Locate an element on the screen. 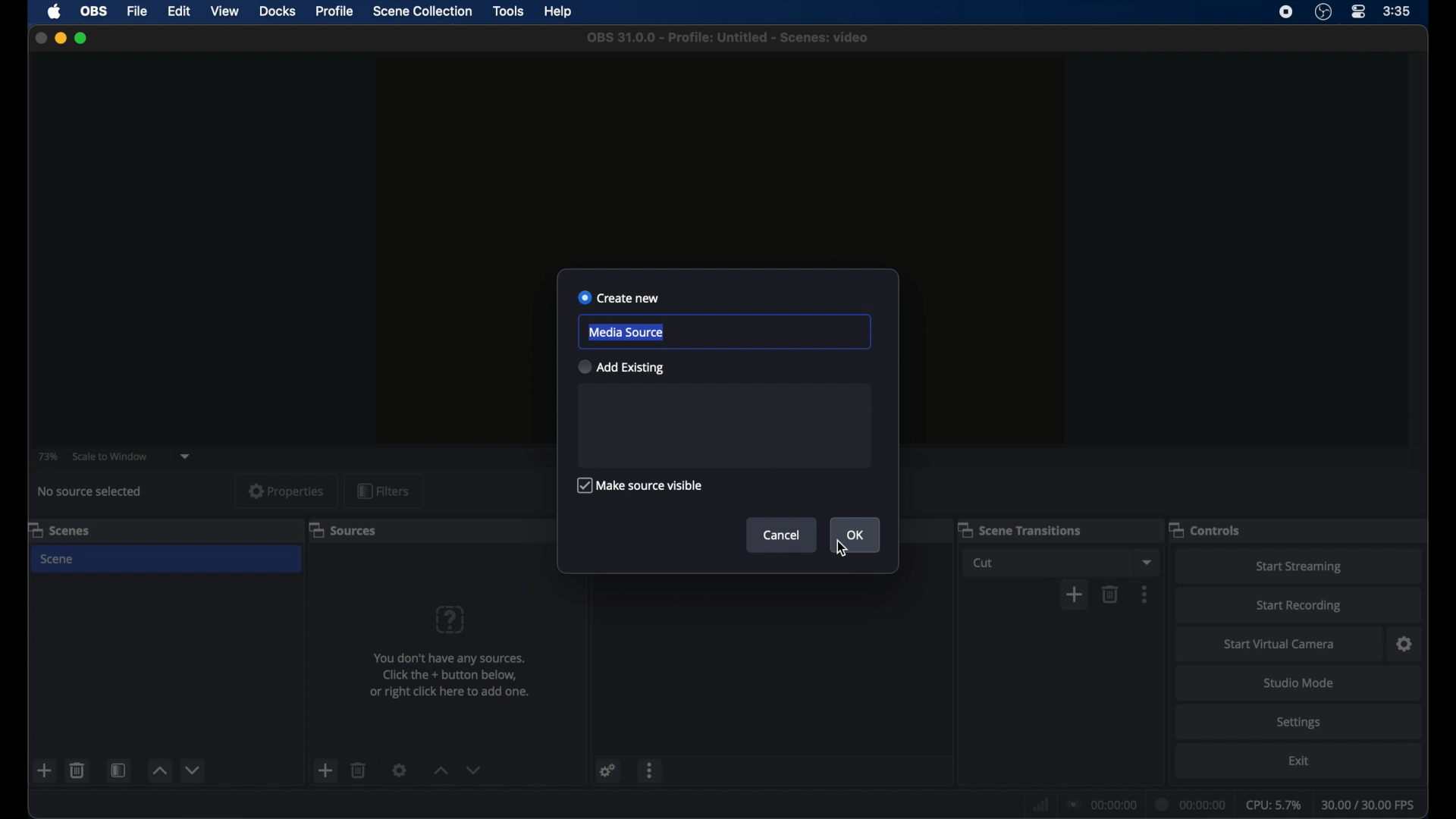 This screenshot has width=1456, height=819. dropdown is located at coordinates (185, 457).